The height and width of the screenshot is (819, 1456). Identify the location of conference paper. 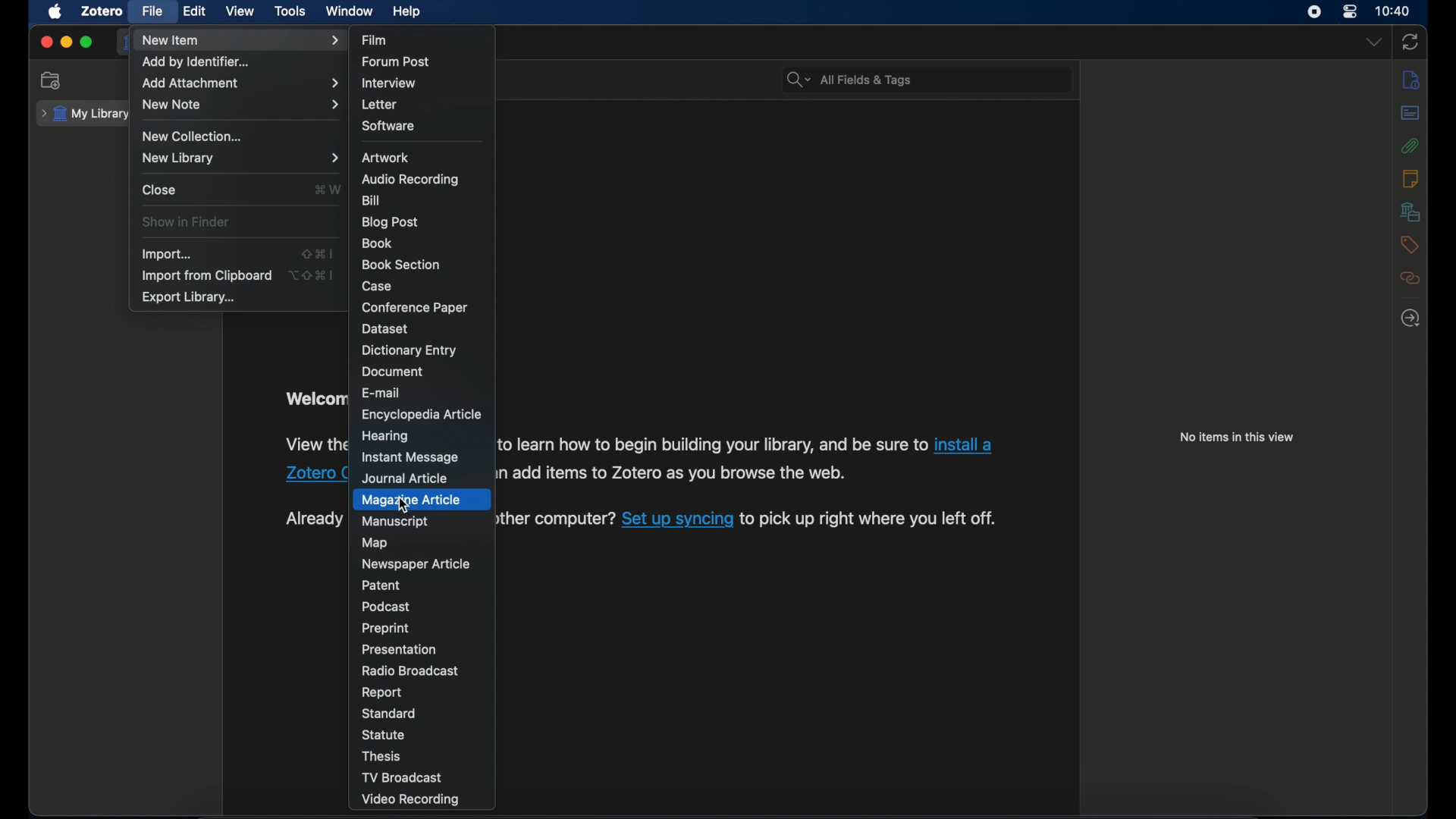
(414, 307).